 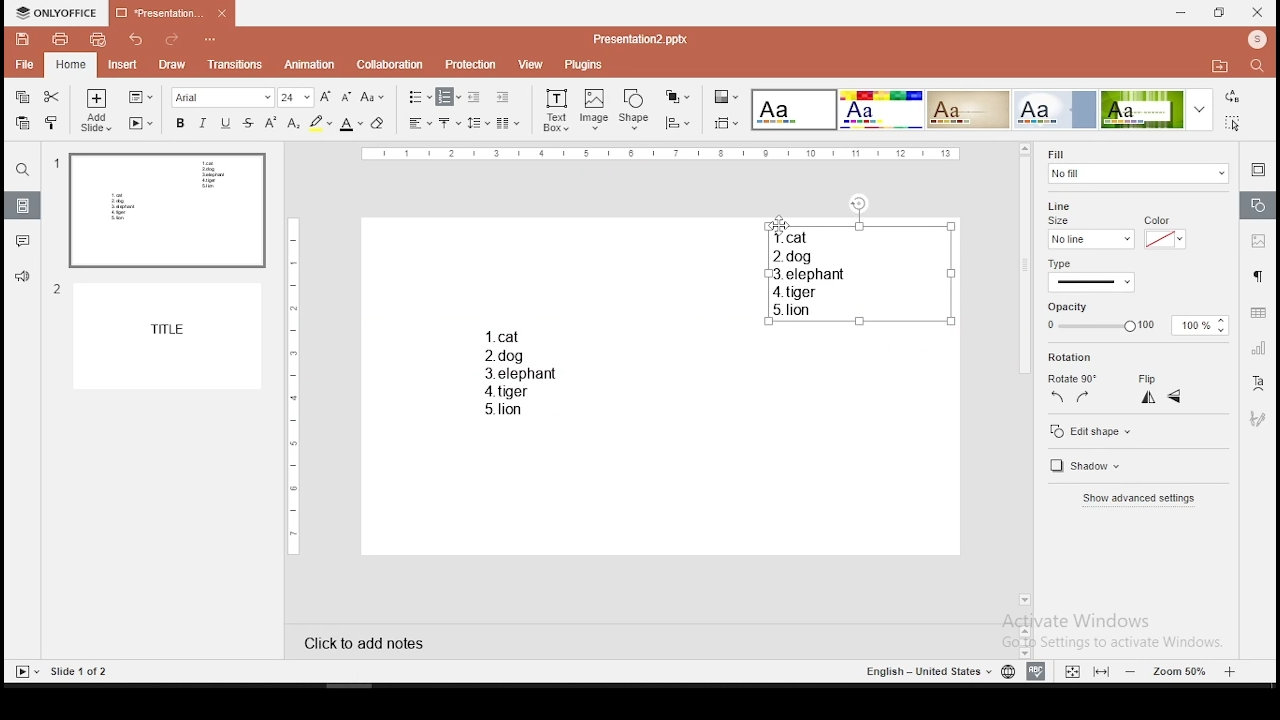 What do you see at coordinates (881, 110) in the screenshot?
I see `theme` at bounding box center [881, 110].